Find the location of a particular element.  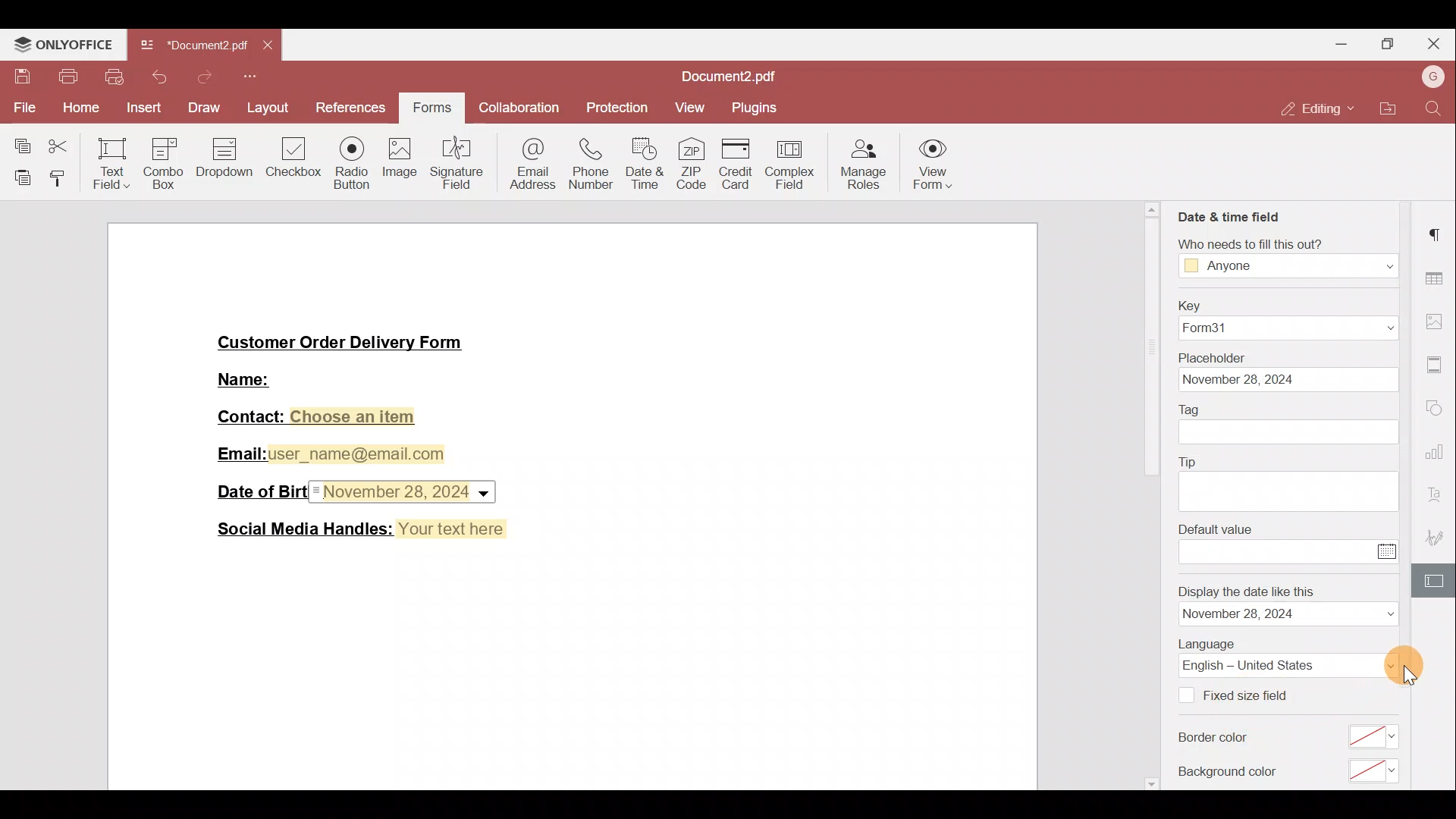

View form is located at coordinates (930, 168).